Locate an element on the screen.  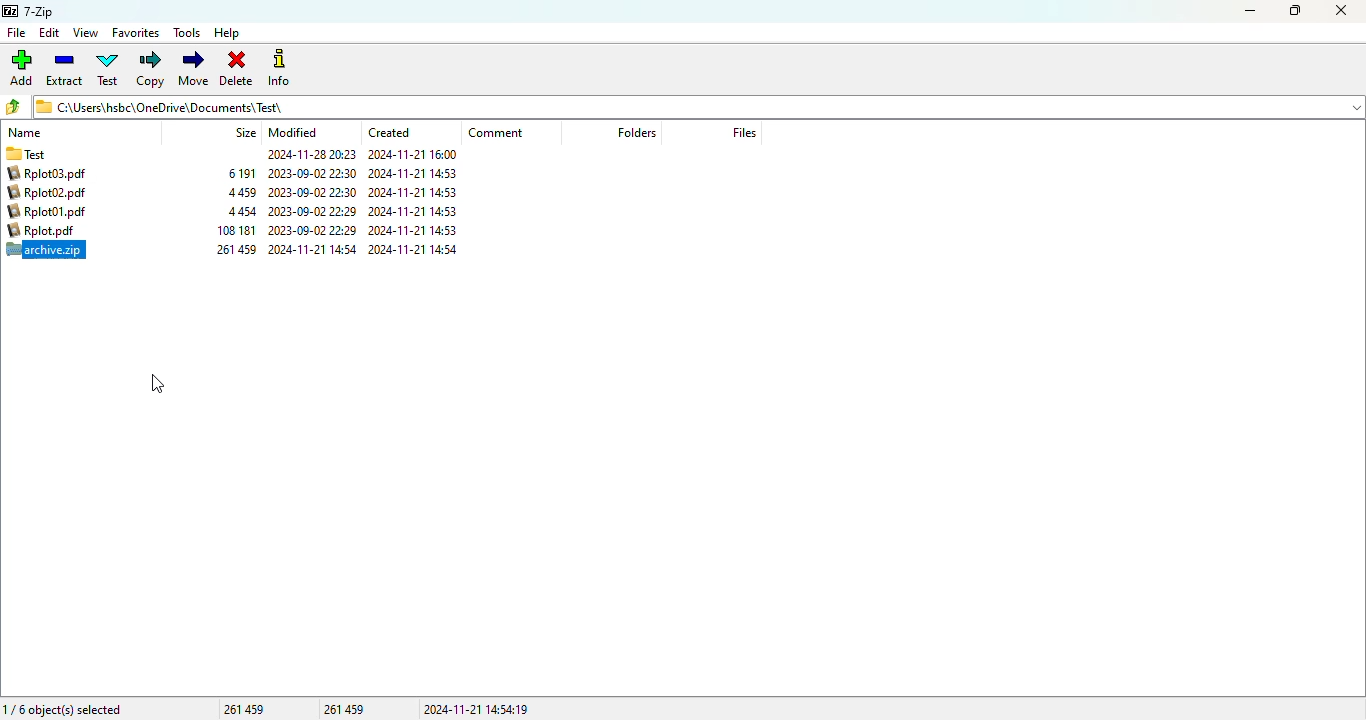
2024-11-21 14:53 is located at coordinates (415, 229).